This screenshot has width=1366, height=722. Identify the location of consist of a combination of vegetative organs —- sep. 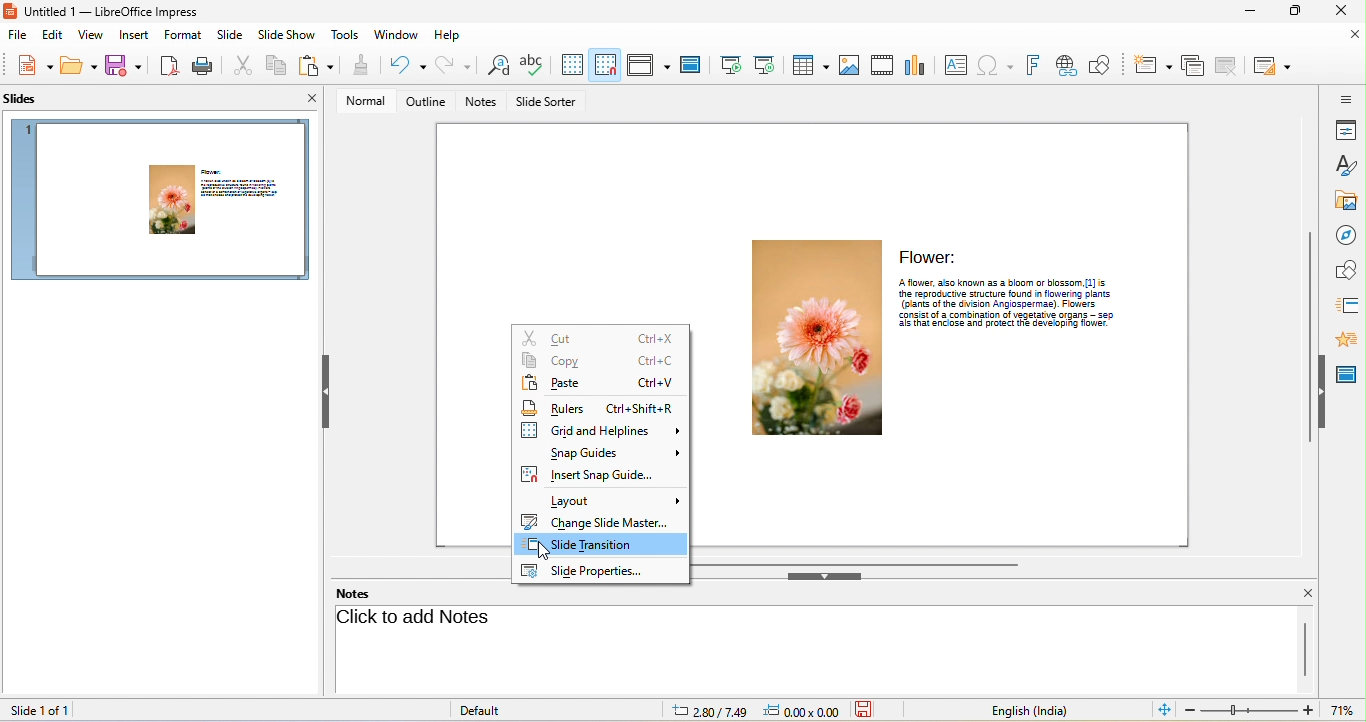
(1006, 315).